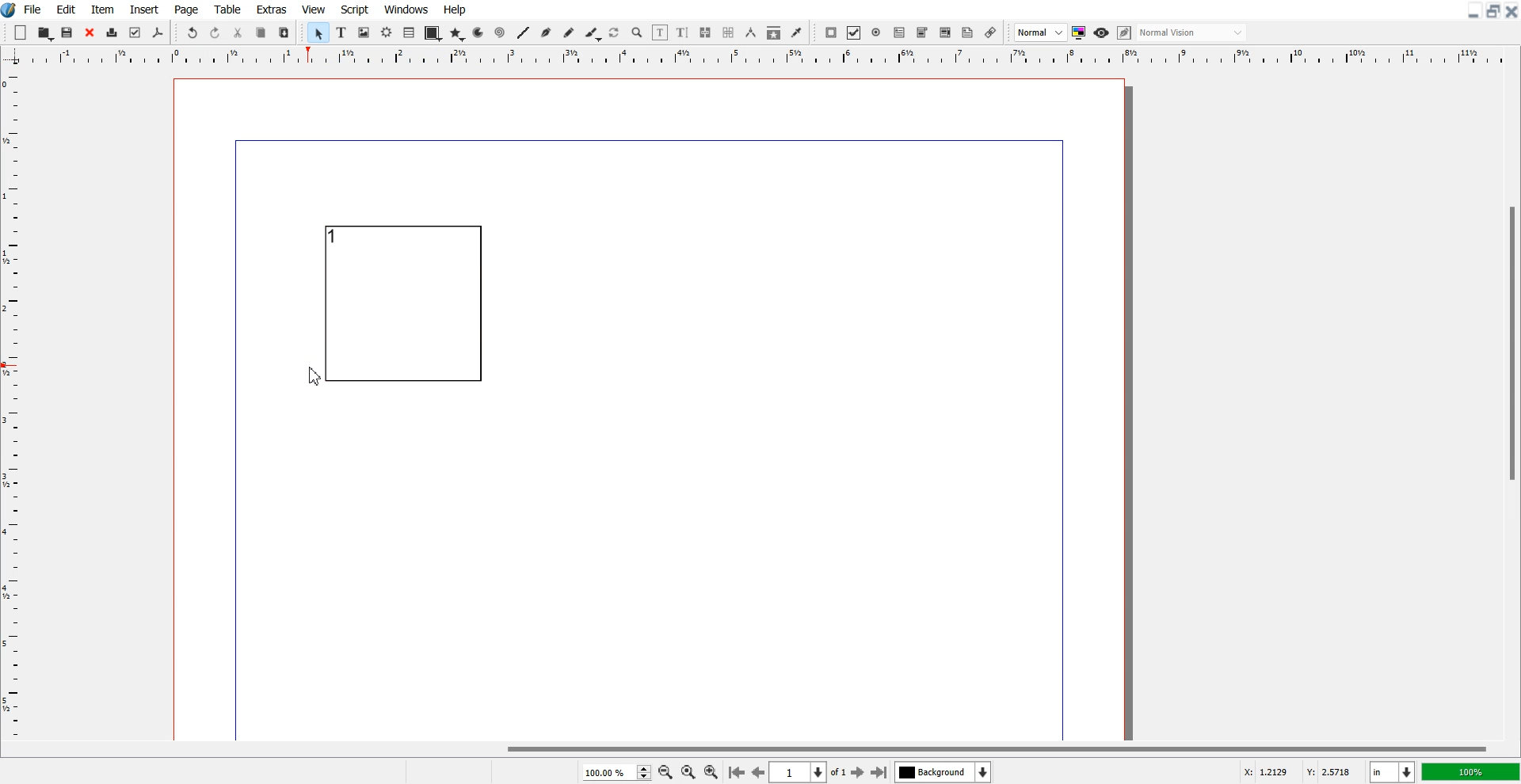  Describe the element at coordinates (688, 773) in the screenshot. I see `Zoom to 100%` at that location.